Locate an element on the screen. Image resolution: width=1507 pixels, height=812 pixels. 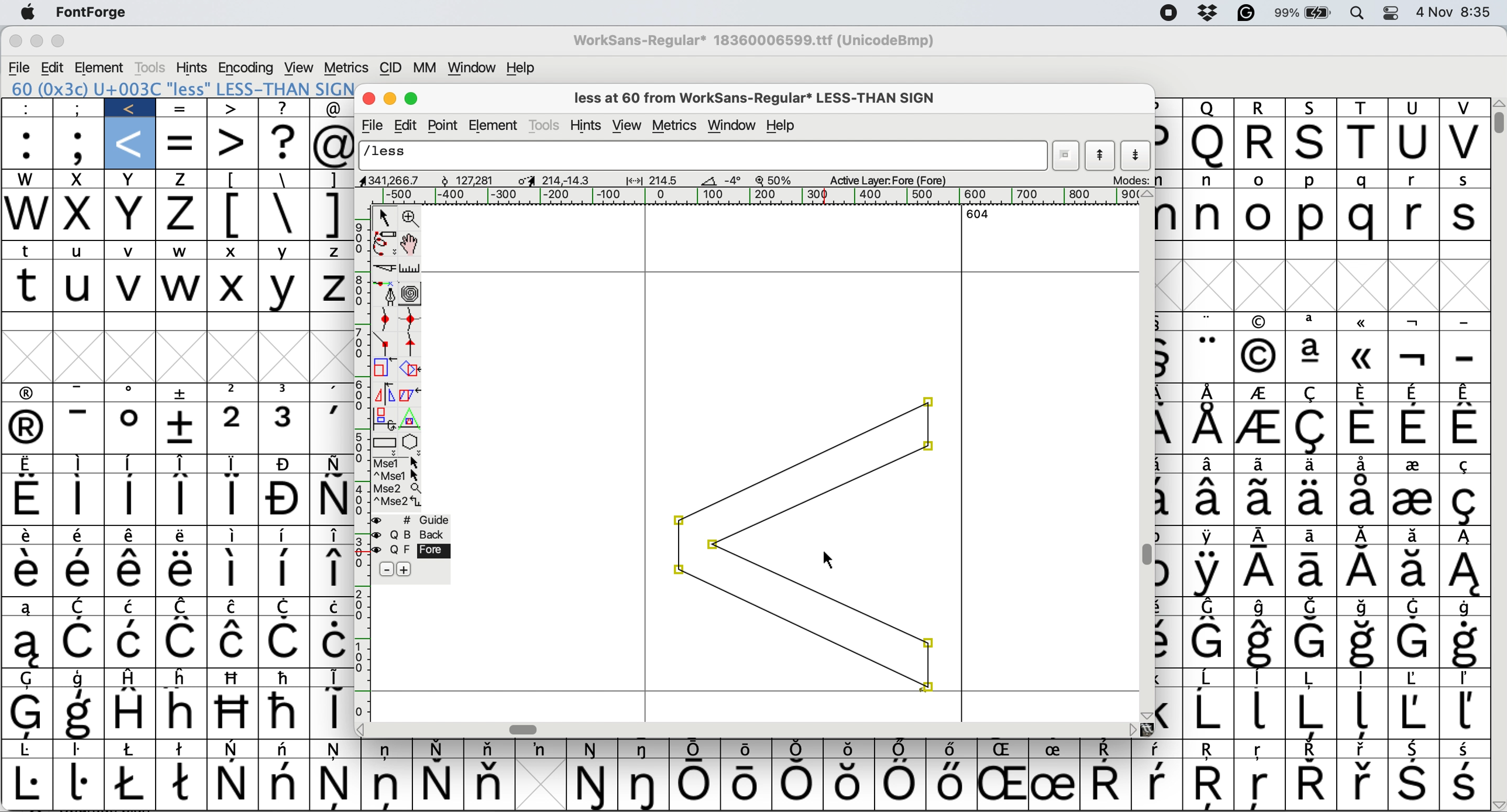
Symbol is located at coordinates (1415, 465).